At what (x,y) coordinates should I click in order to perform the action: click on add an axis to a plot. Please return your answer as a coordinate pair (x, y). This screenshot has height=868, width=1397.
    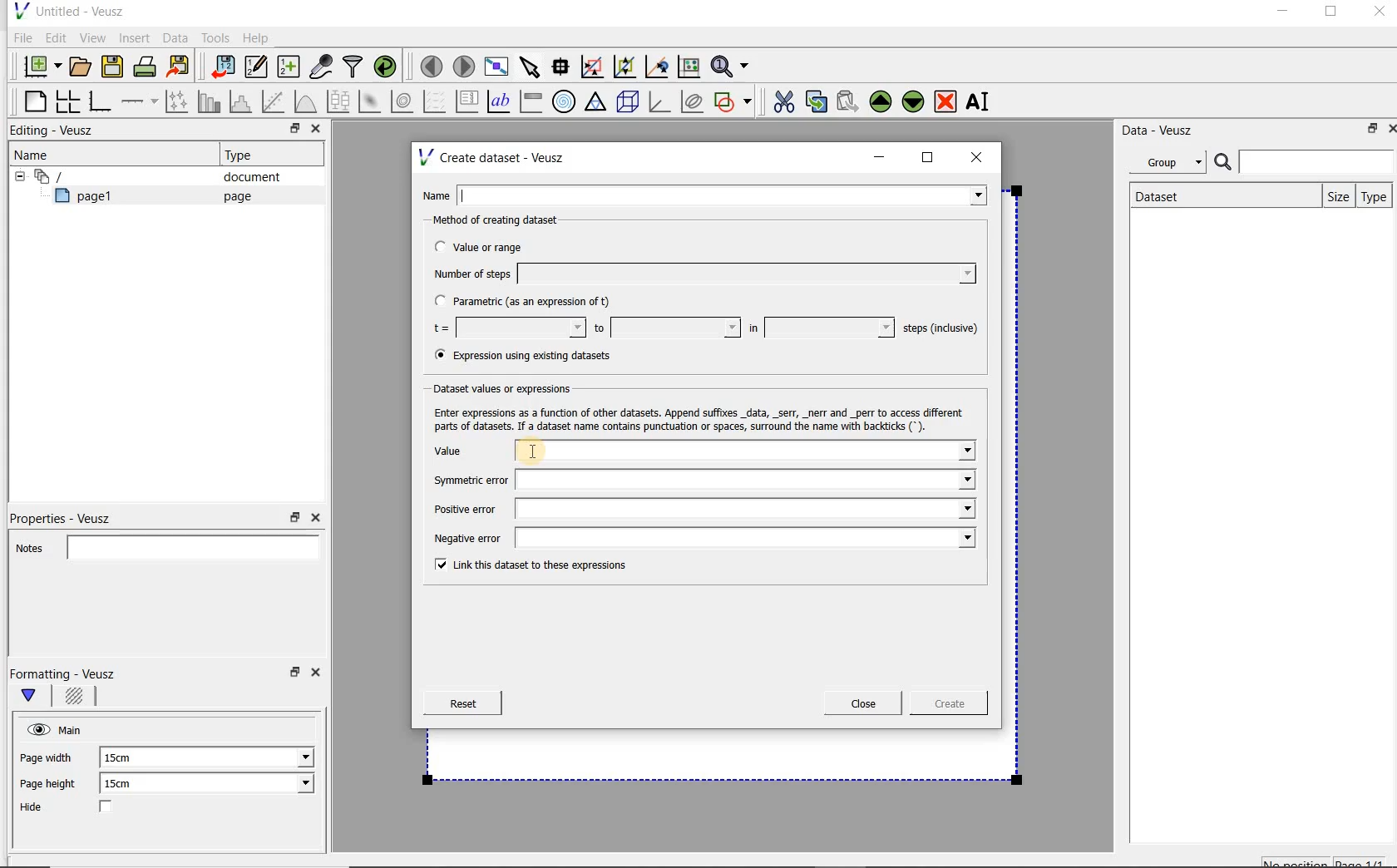
    Looking at the image, I should click on (141, 101).